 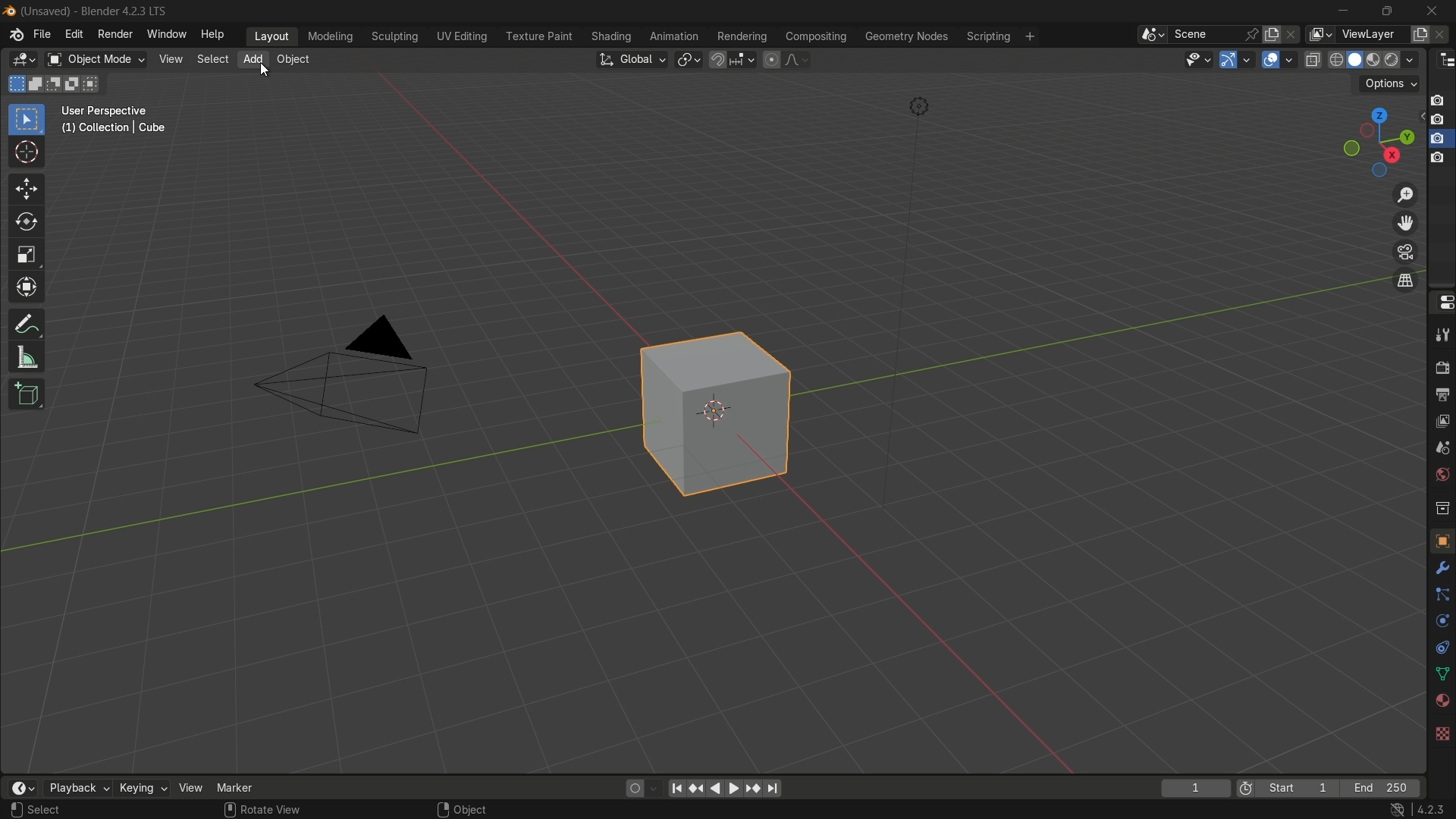 I want to click on overlays, so click(x=1288, y=58).